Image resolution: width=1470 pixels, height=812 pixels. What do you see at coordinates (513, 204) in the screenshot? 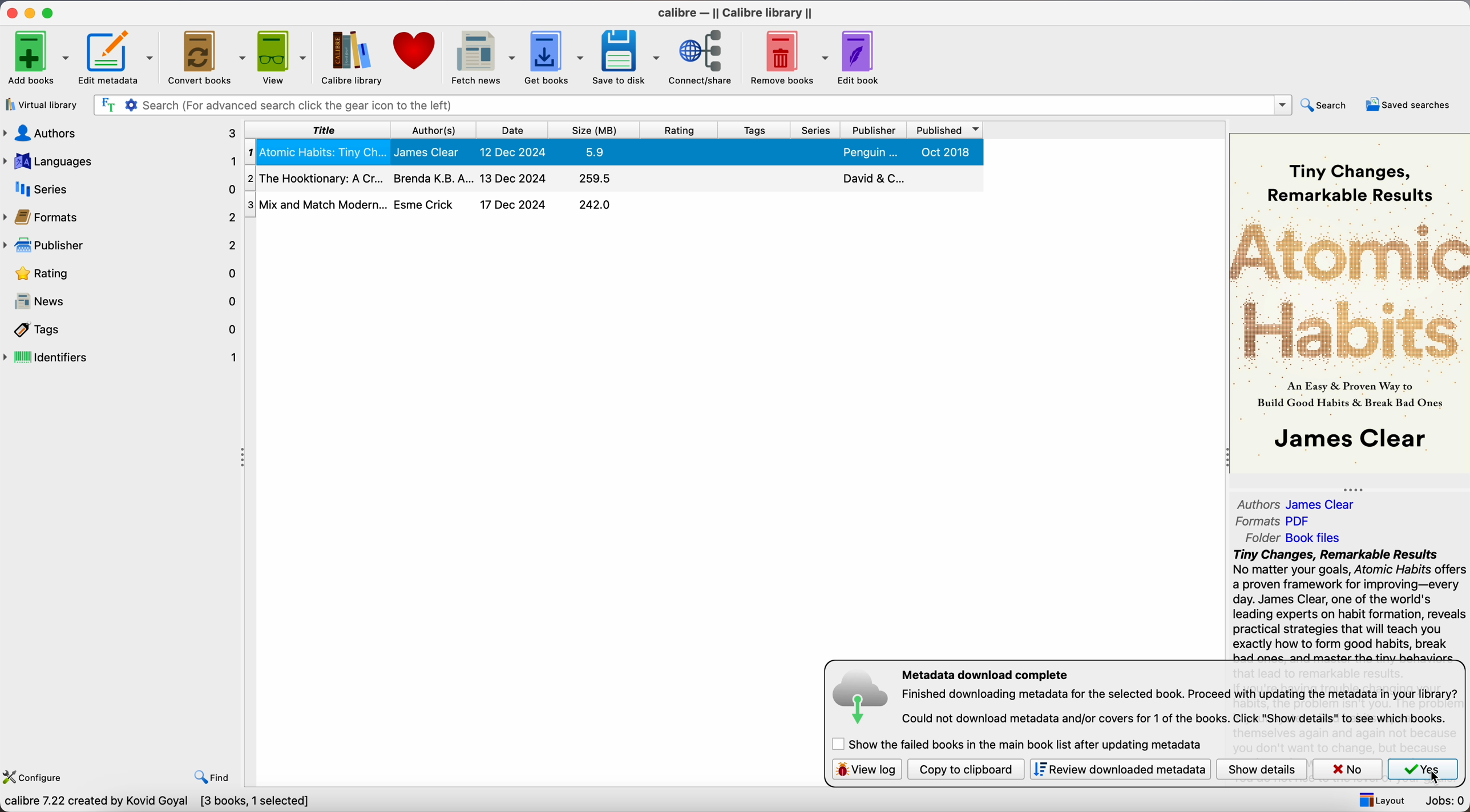
I see `17 Dec 2024` at bounding box center [513, 204].